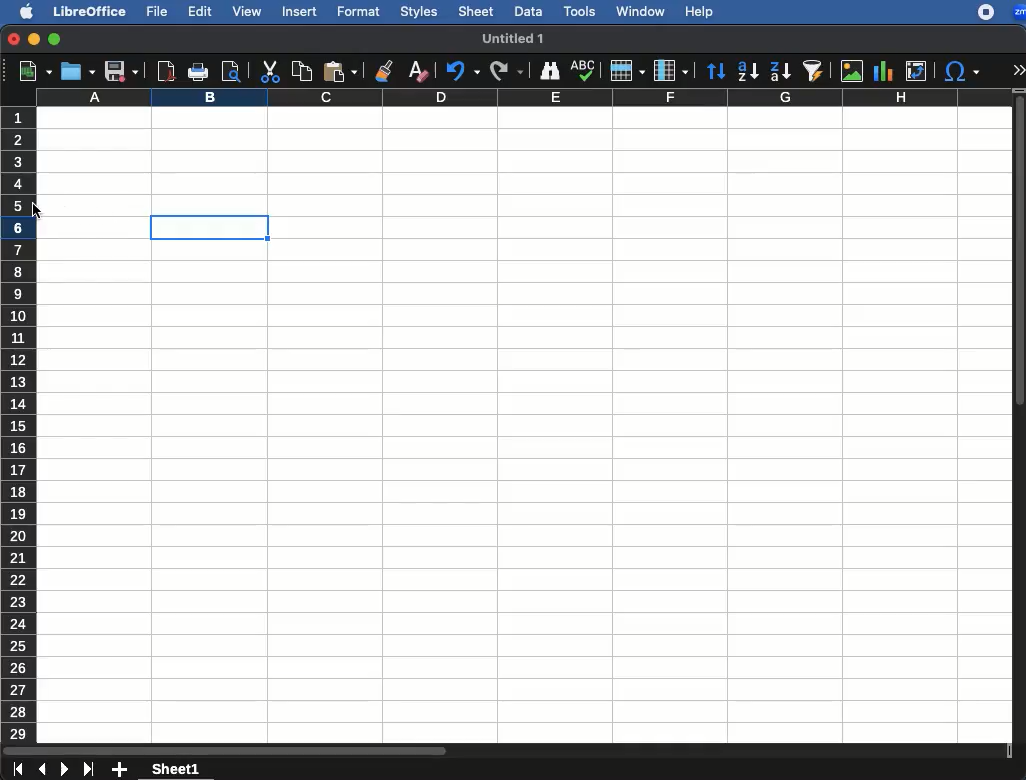 The image size is (1026, 780). Describe the element at coordinates (208, 227) in the screenshot. I see `cell selected` at that location.